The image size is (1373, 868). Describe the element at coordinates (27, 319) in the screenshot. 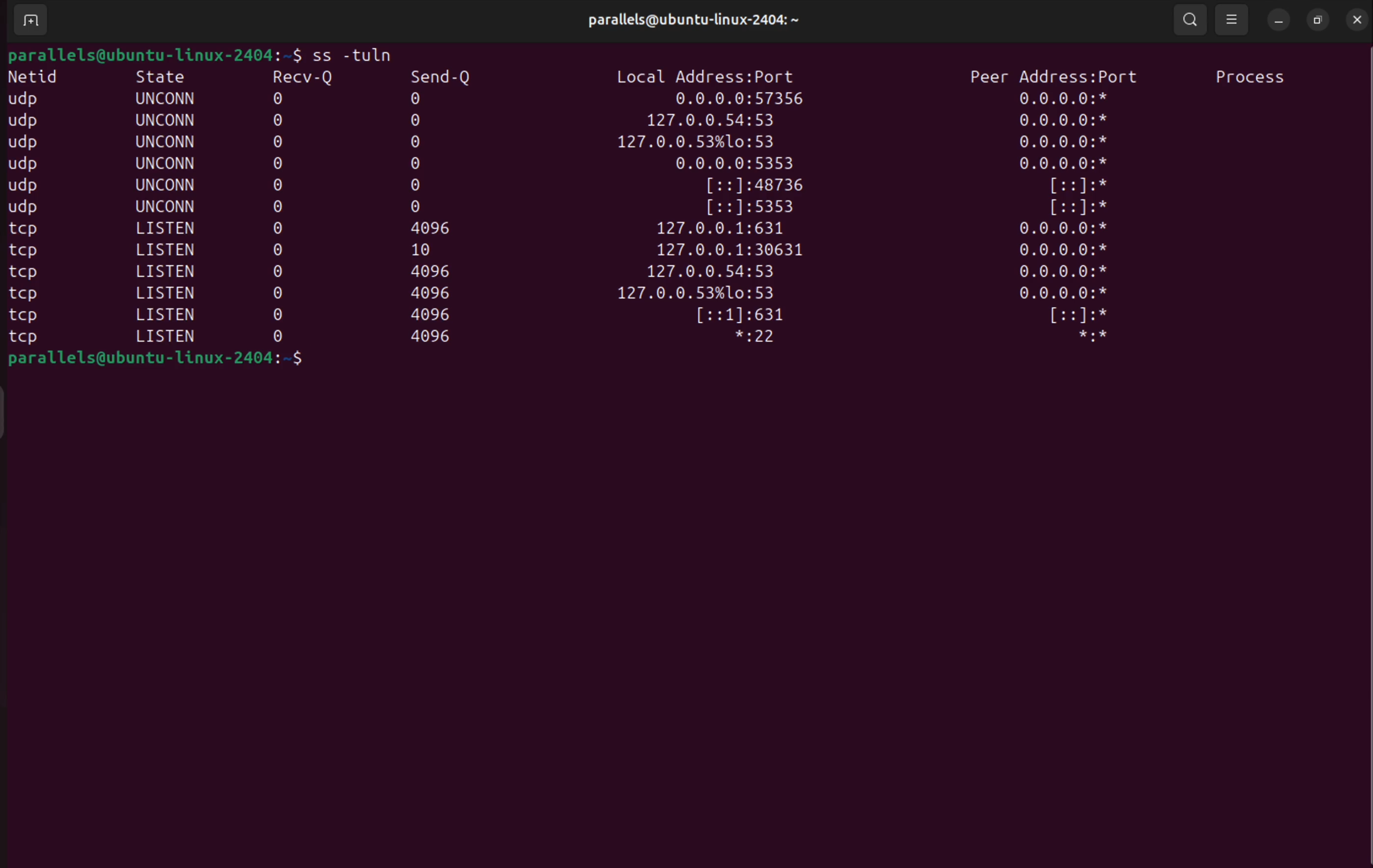

I see `` at that location.